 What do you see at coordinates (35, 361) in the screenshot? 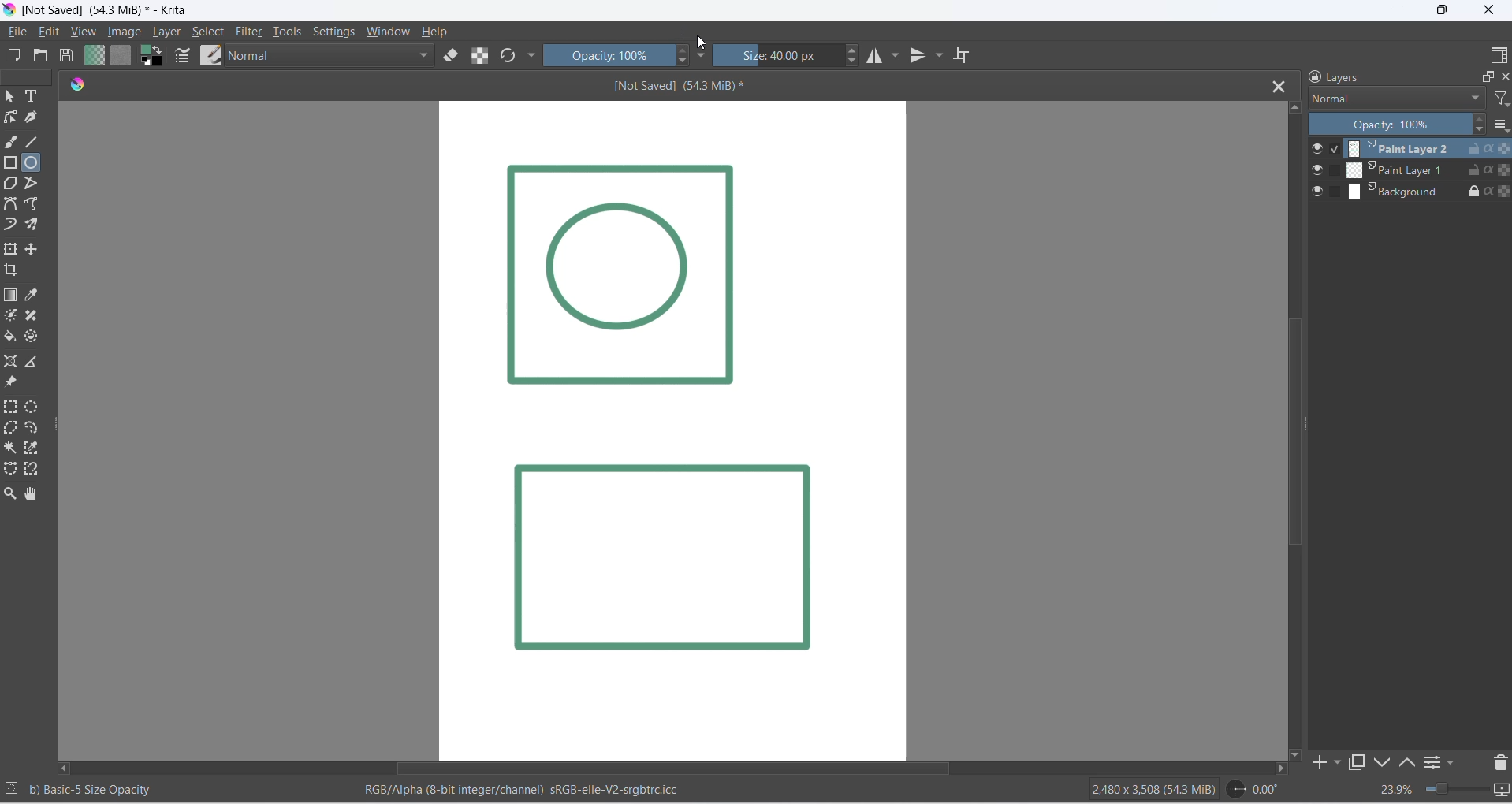
I see `measure distance between two points` at bounding box center [35, 361].